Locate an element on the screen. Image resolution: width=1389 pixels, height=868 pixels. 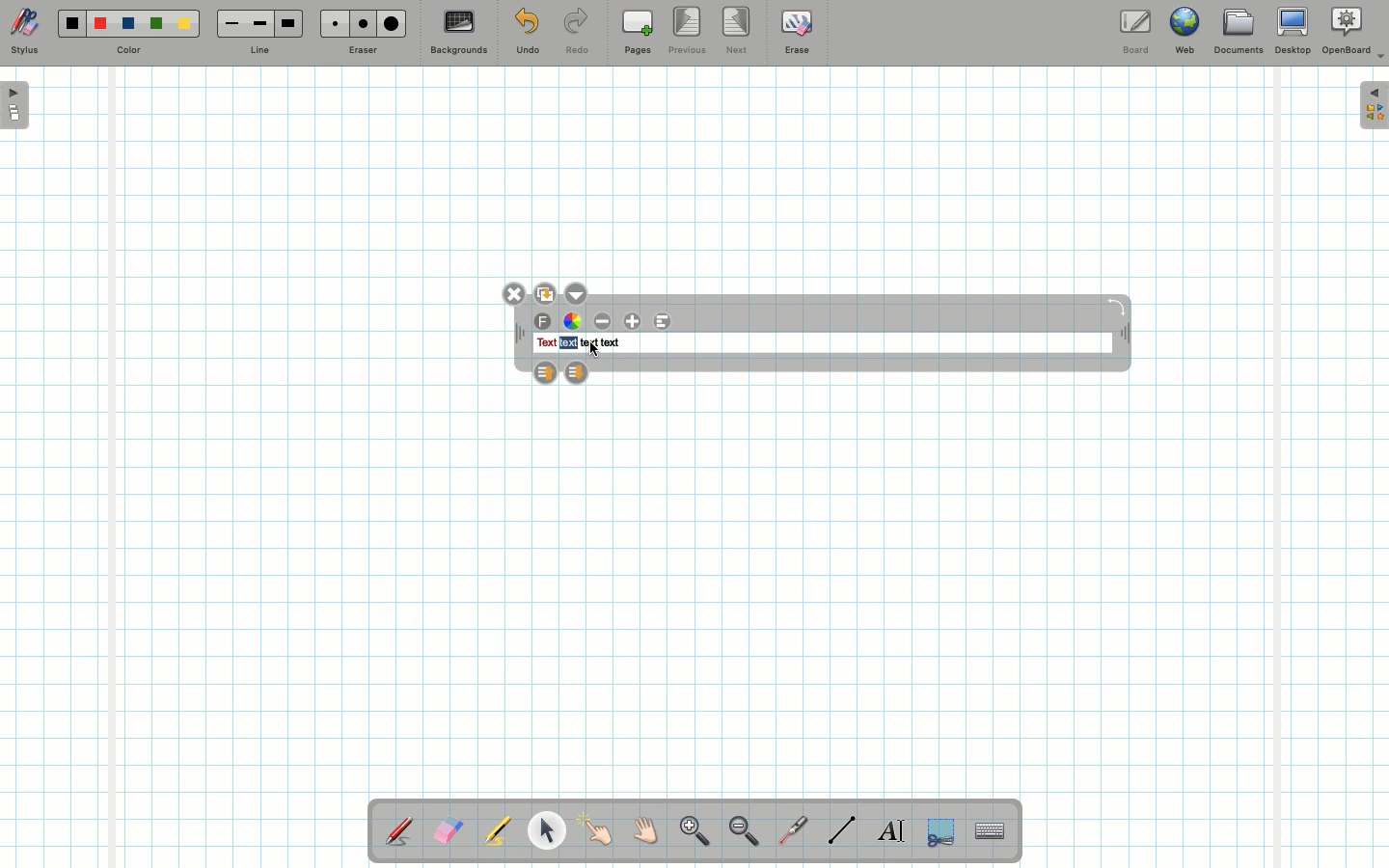
Pages is located at coordinates (638, 34).